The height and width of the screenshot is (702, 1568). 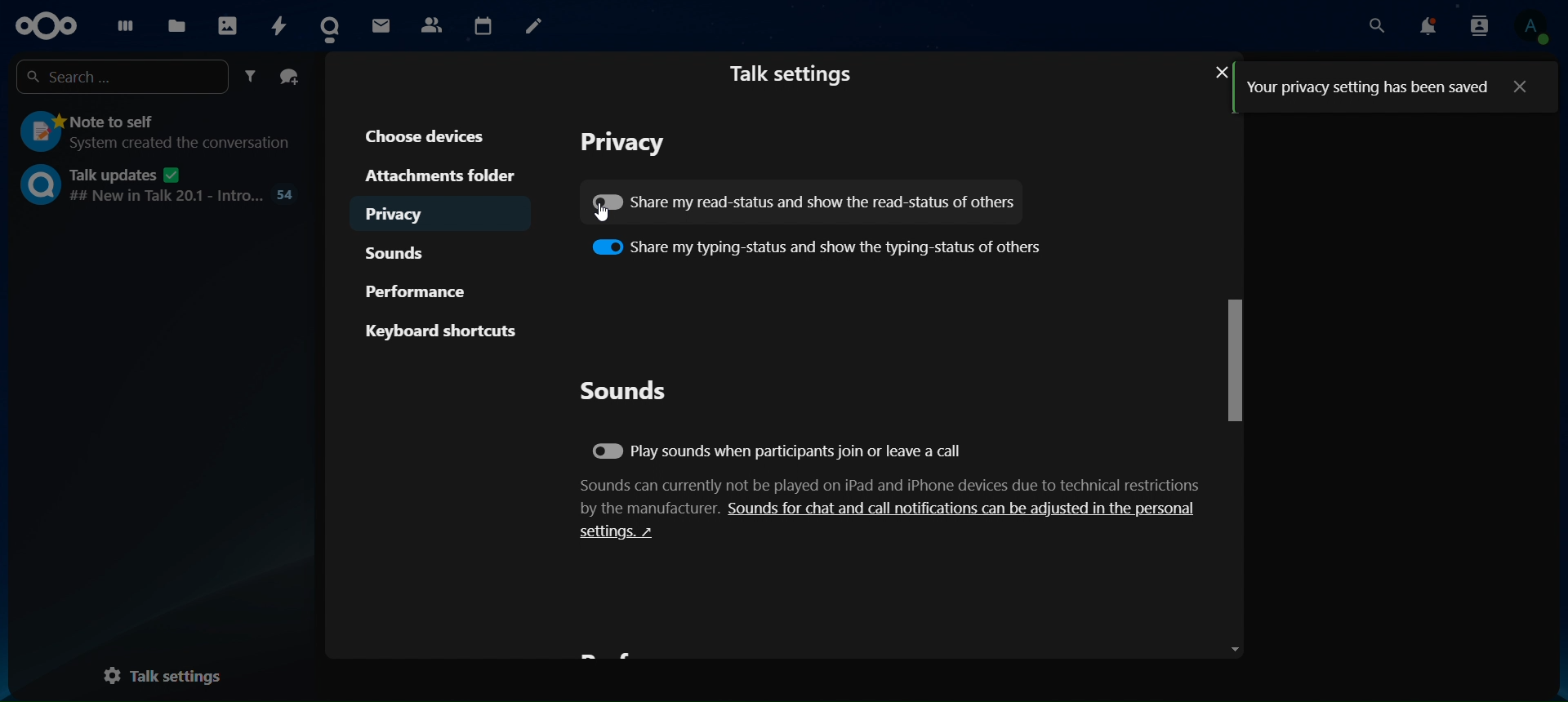 I want to click on talk settings, so click(x=797, y=73).